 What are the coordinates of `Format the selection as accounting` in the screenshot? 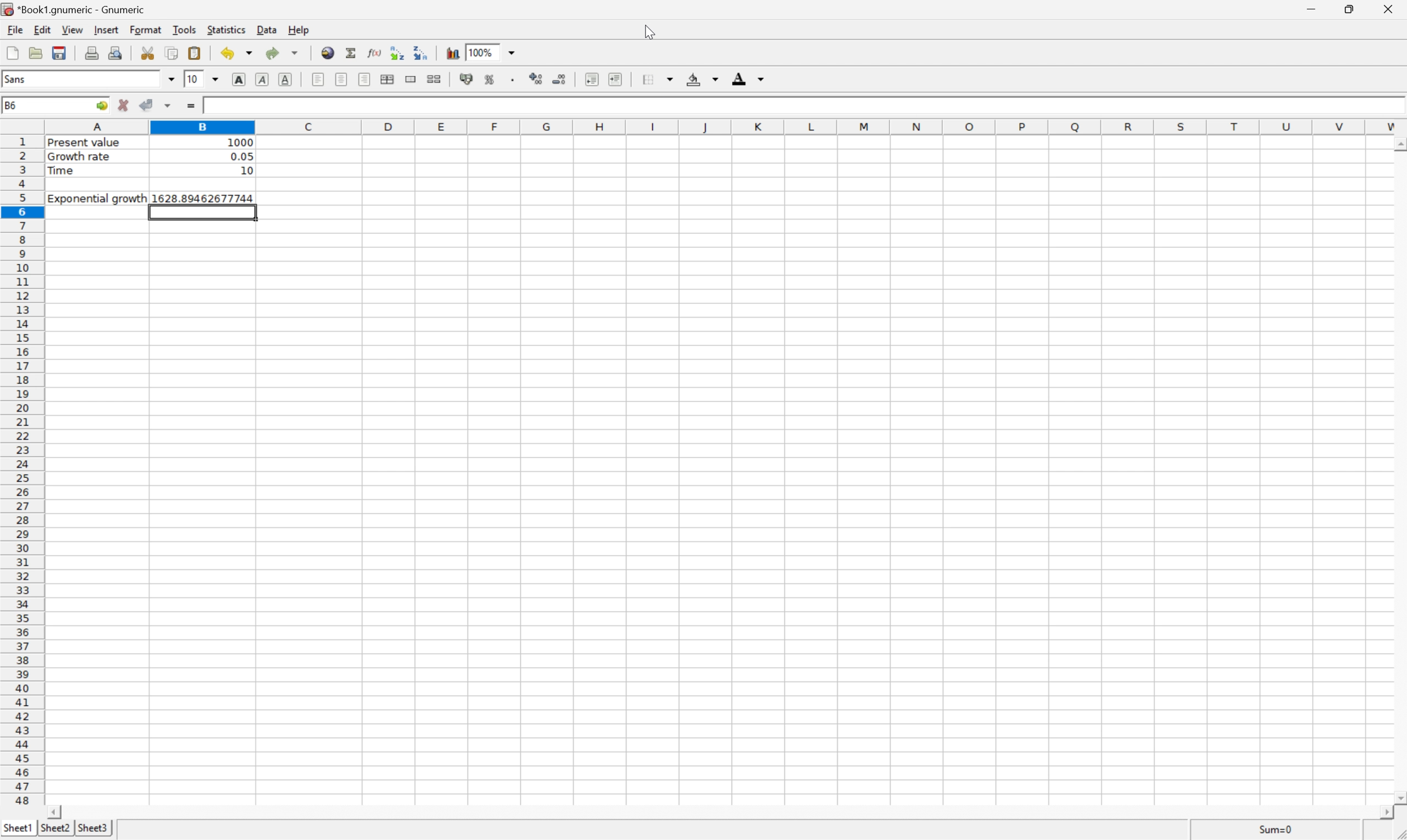 It's located at (467, 78).